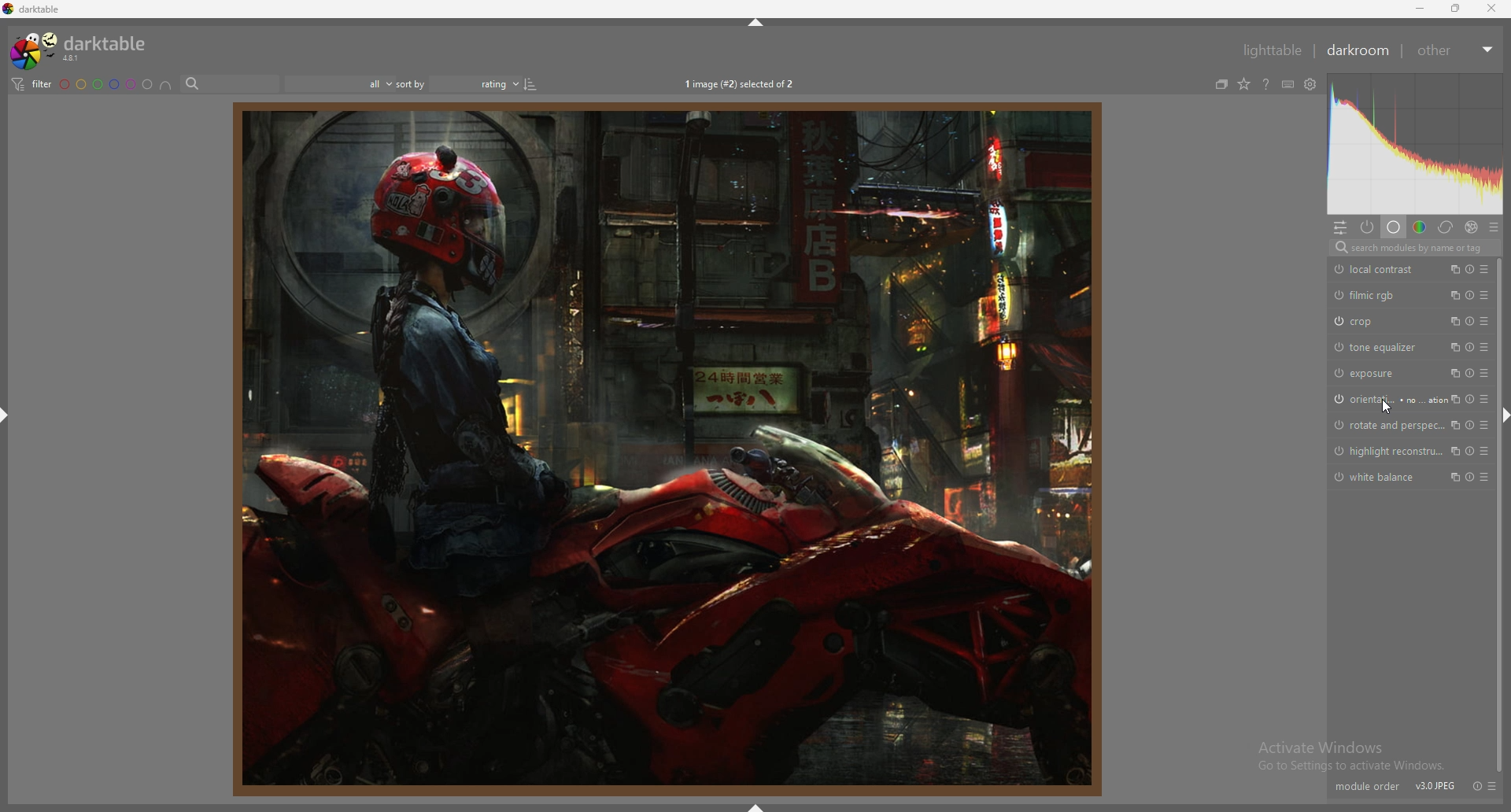 The image size is (1511, 812). Describe the element at coordinates (1474, 785) in the screenshot. I see `reset` at that location.